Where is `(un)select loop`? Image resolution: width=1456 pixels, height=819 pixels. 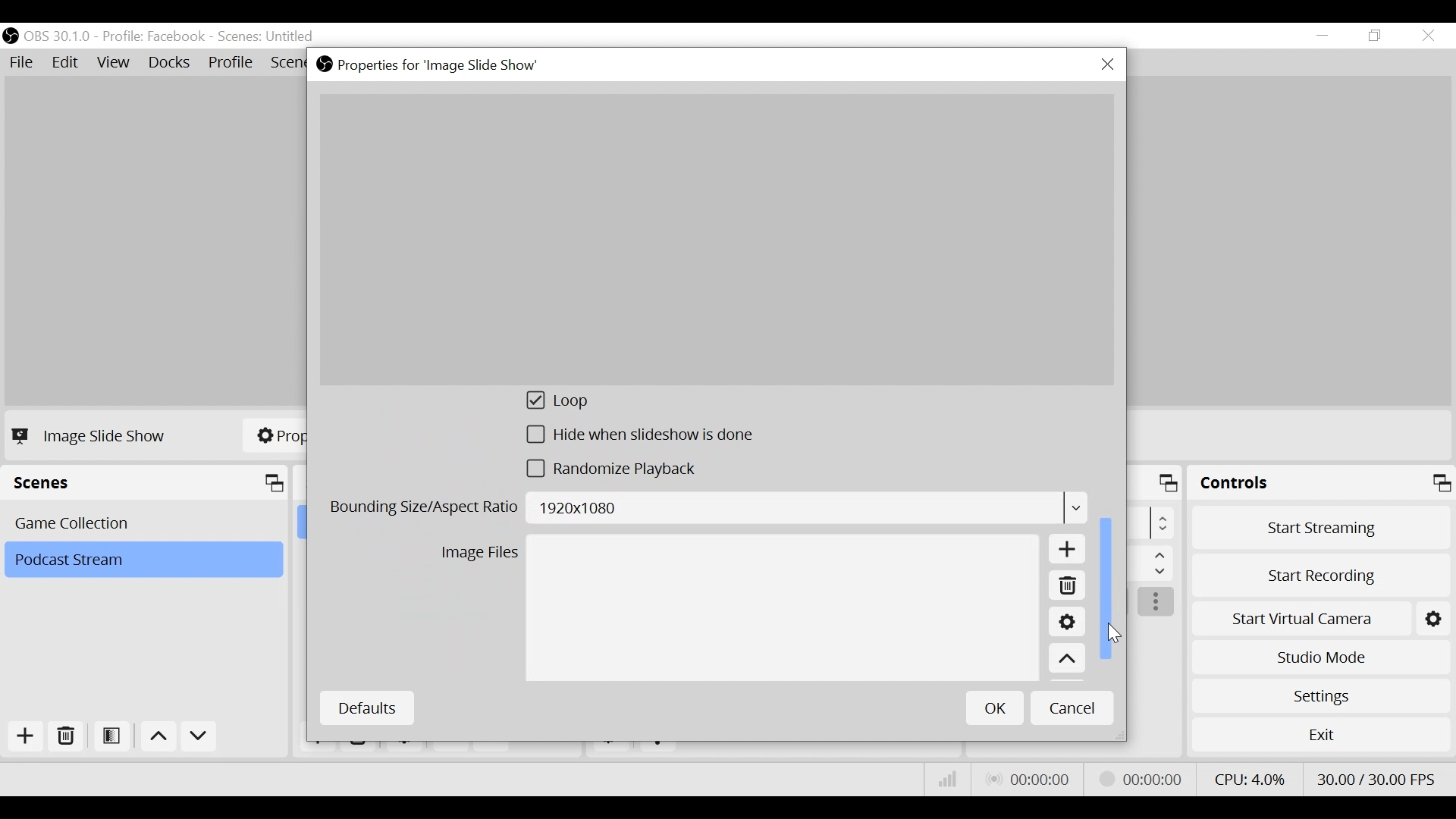 (un)select loop is located at coordinates (577, 401).